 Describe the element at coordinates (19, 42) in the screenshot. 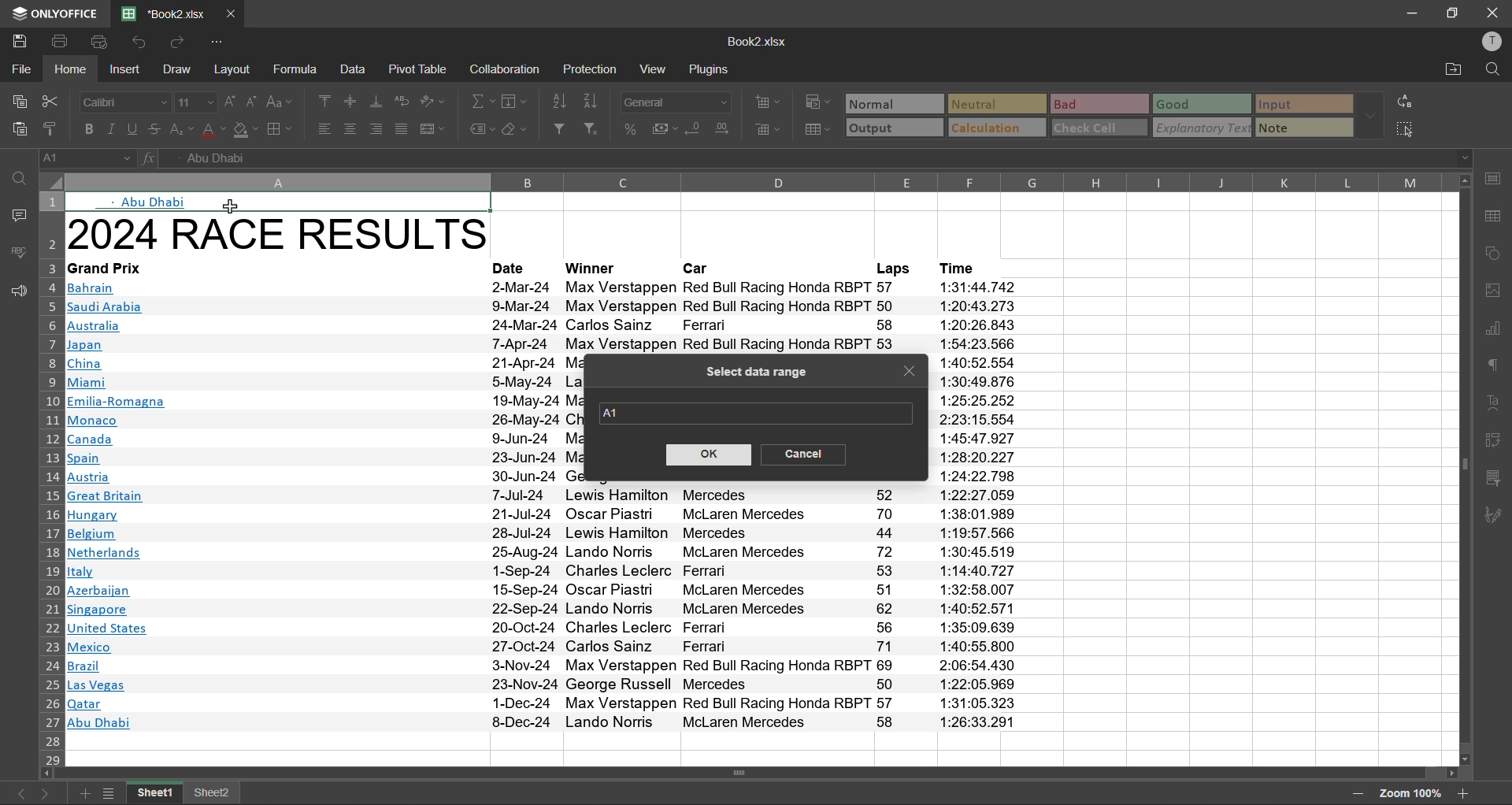

I see `save` at that location.